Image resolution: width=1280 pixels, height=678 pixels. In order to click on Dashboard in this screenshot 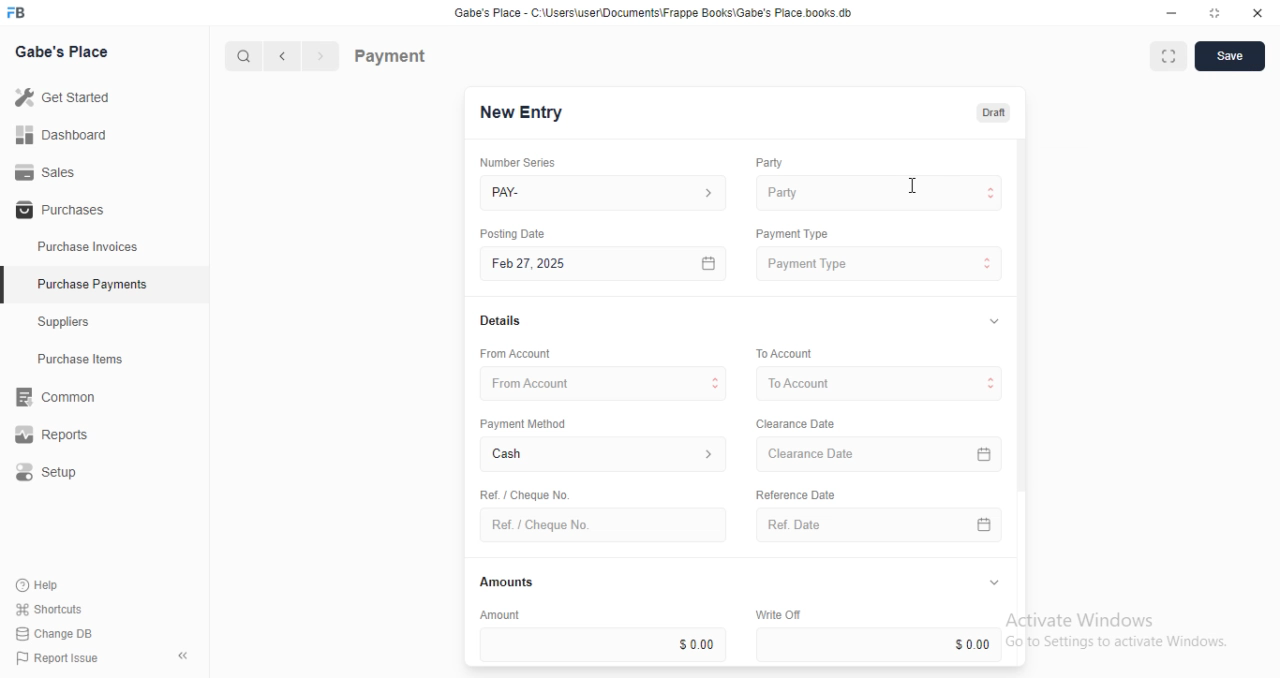, I will do `click(61, 135)`.